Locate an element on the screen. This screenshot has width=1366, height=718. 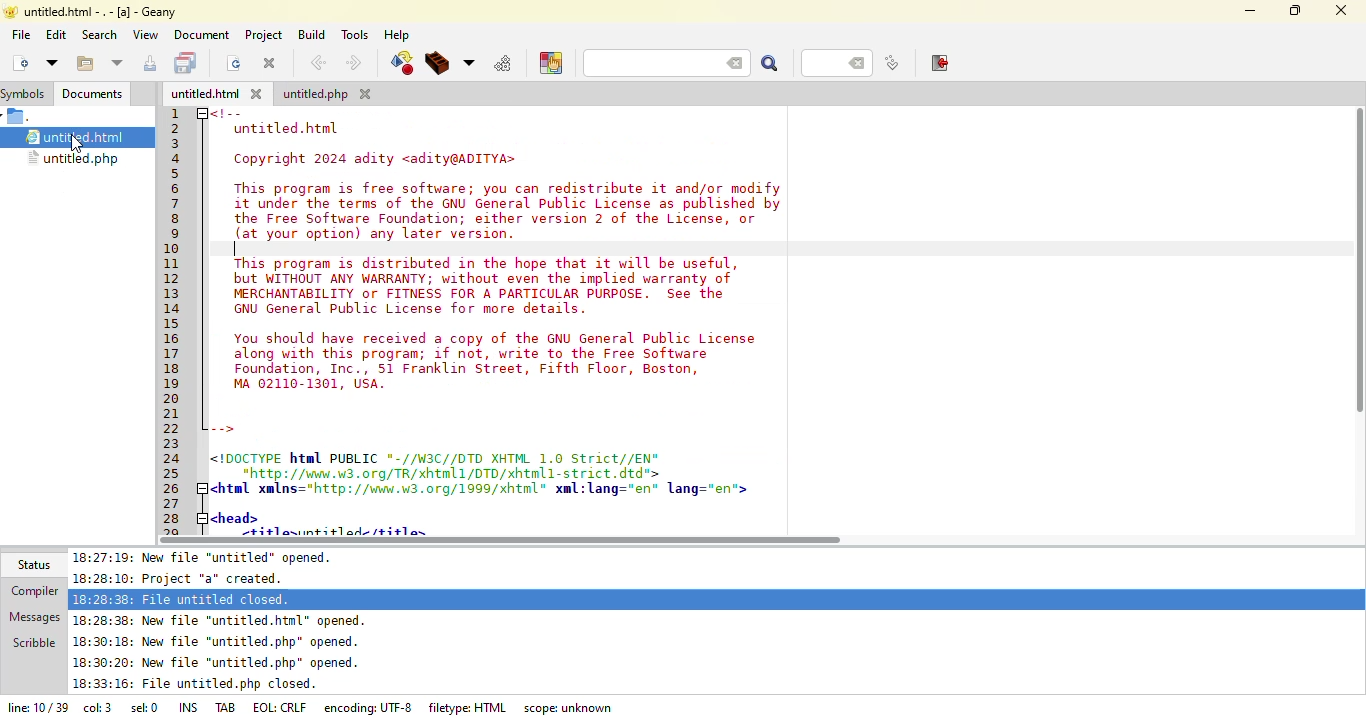
tools is located at coordinates (359, 35).